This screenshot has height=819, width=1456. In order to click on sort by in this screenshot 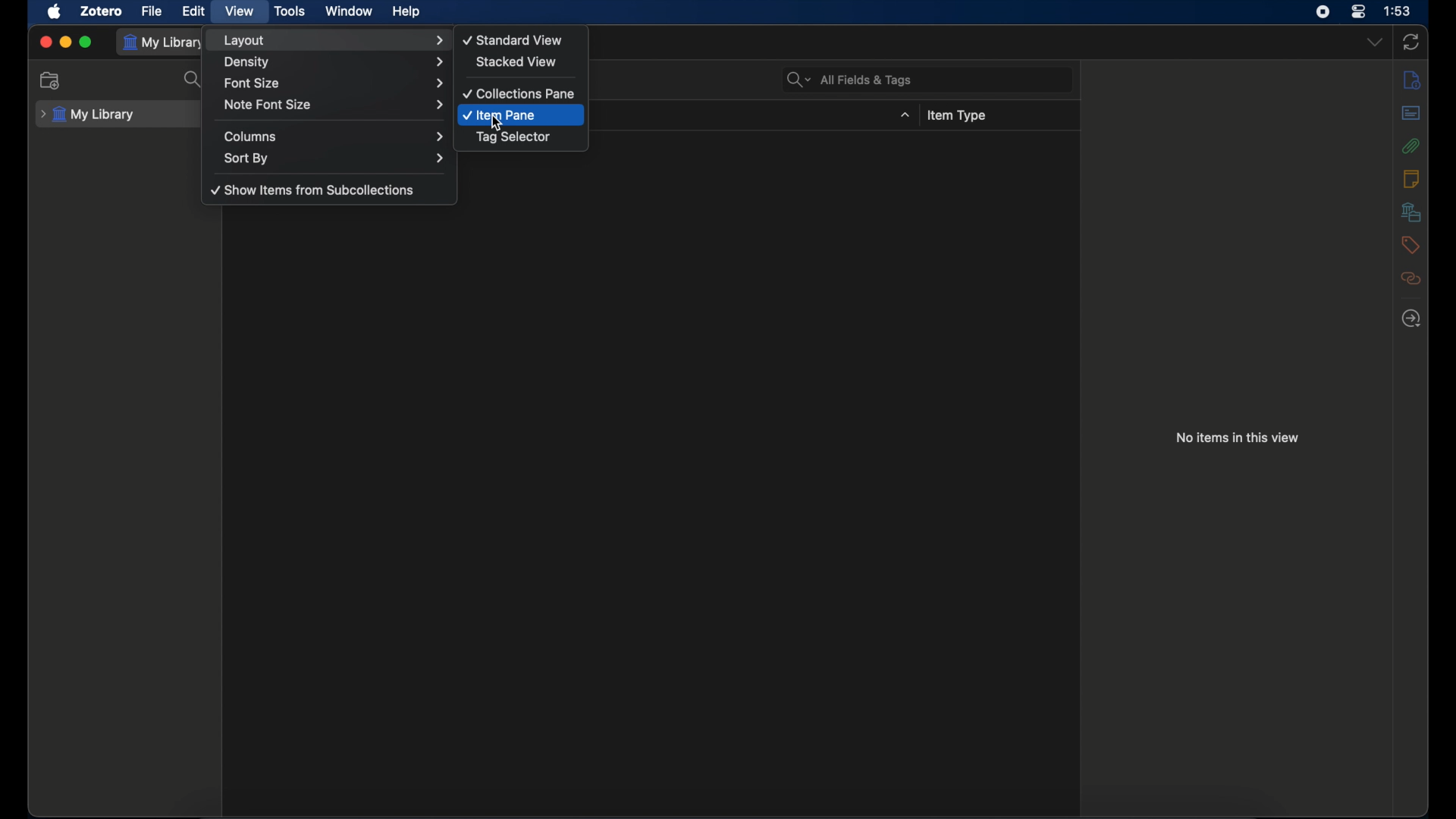, I will do `click(336, 158)`.